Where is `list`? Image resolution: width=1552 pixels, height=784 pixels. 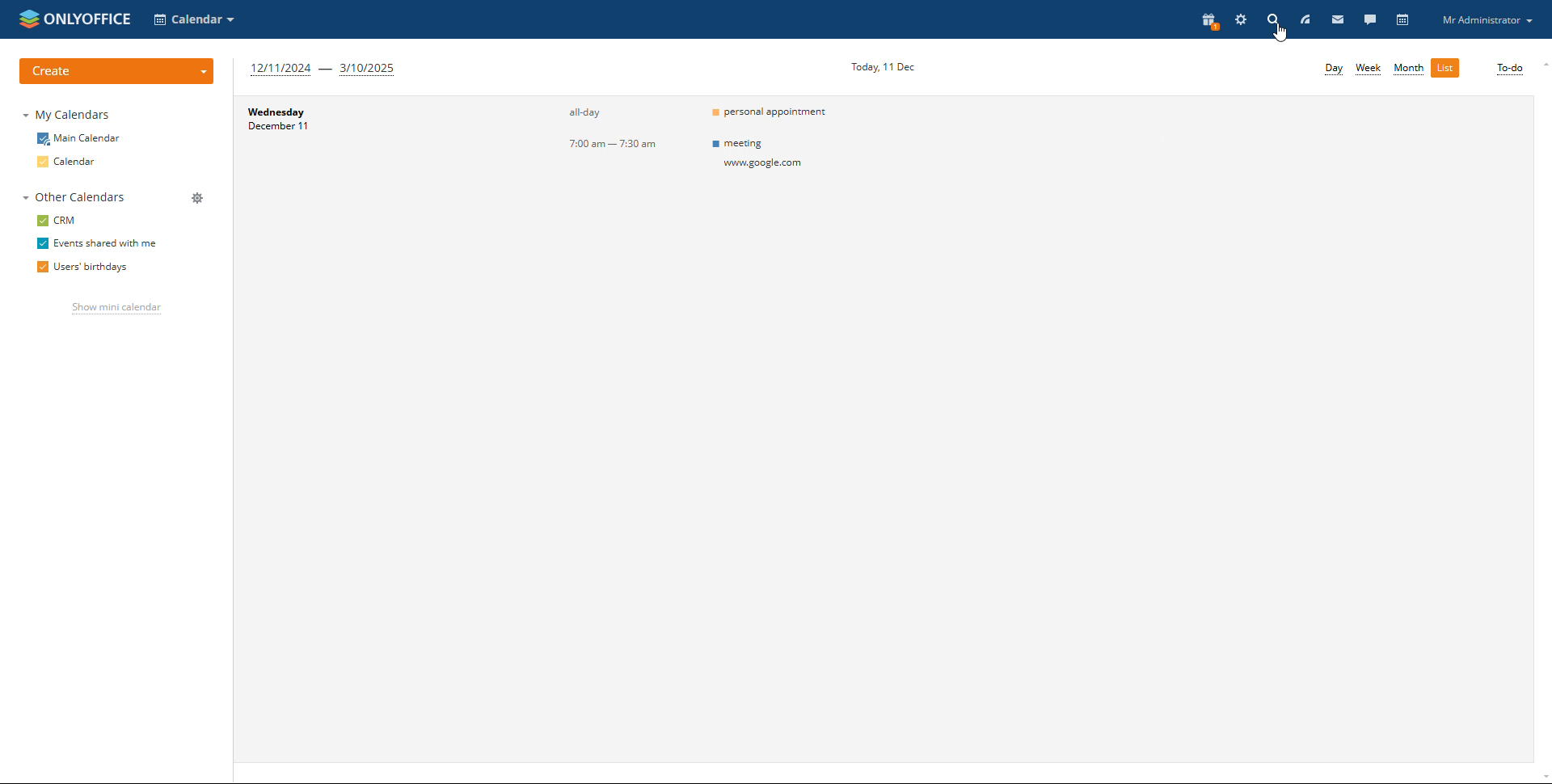
list is located at coordinates (1447, 67).